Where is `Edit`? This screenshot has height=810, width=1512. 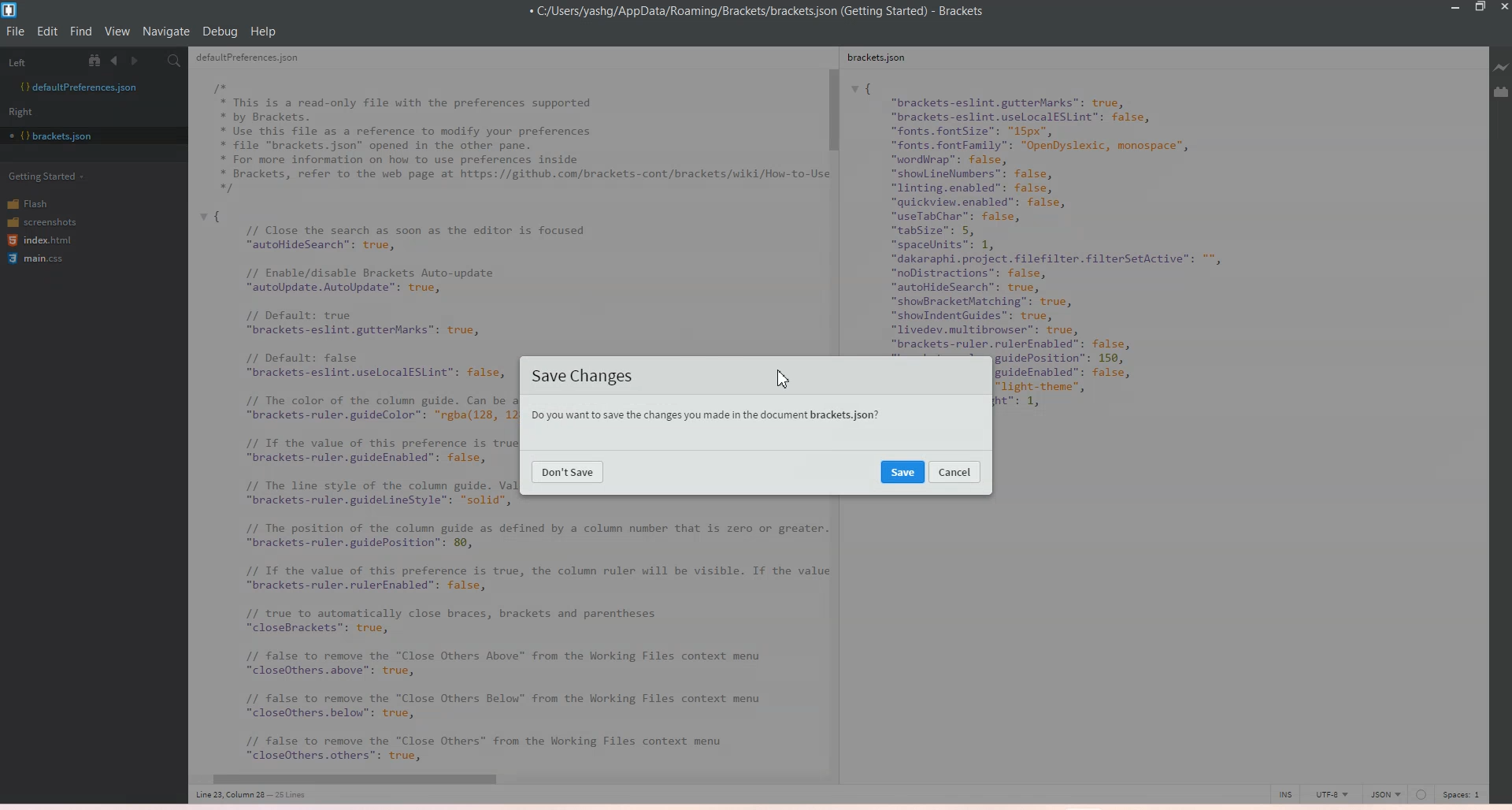 Edit is located at coordinates (49, 32).